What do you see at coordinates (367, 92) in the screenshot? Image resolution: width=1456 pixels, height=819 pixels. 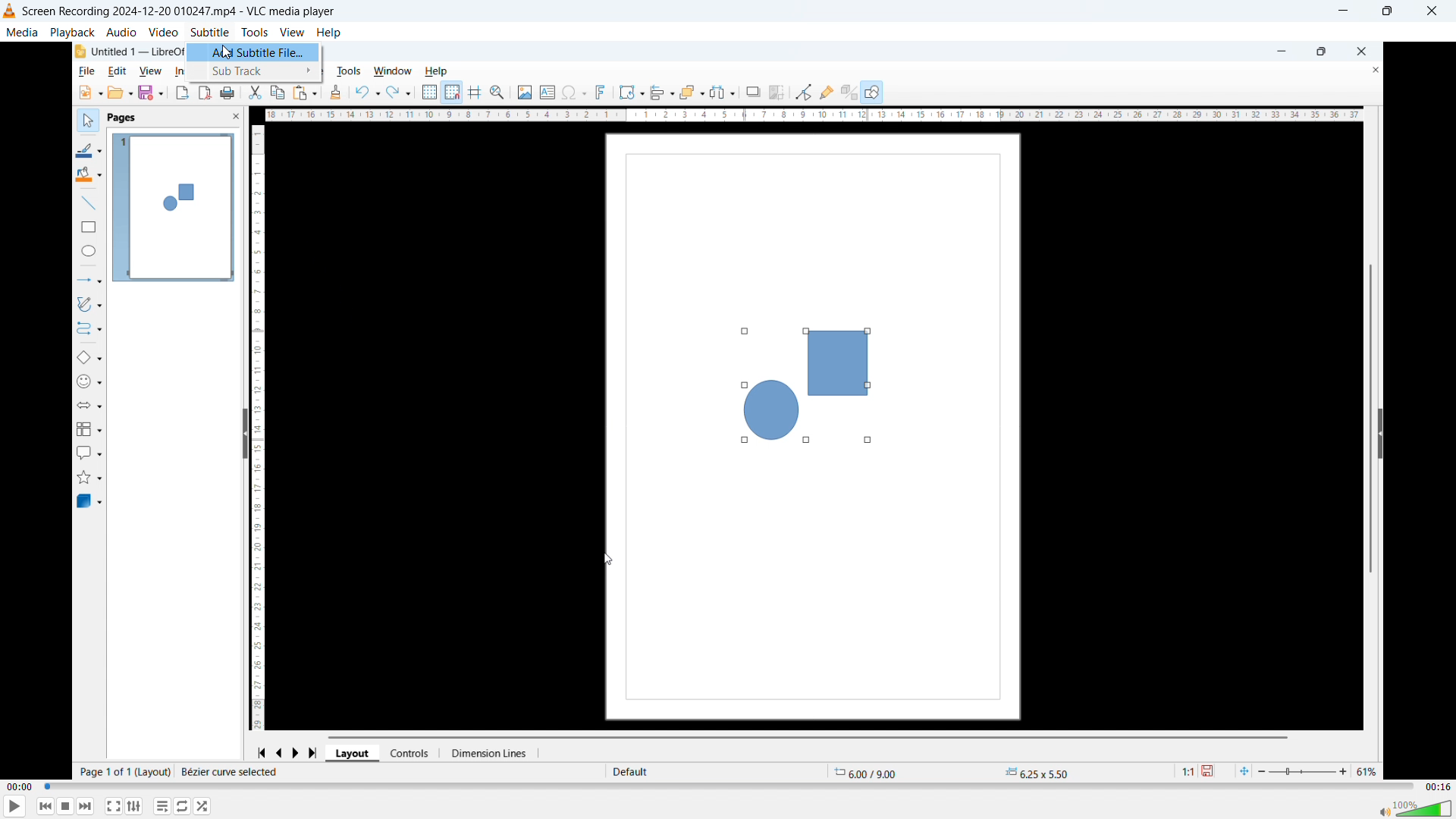 I see `undo` at bounding box center [367, 92].